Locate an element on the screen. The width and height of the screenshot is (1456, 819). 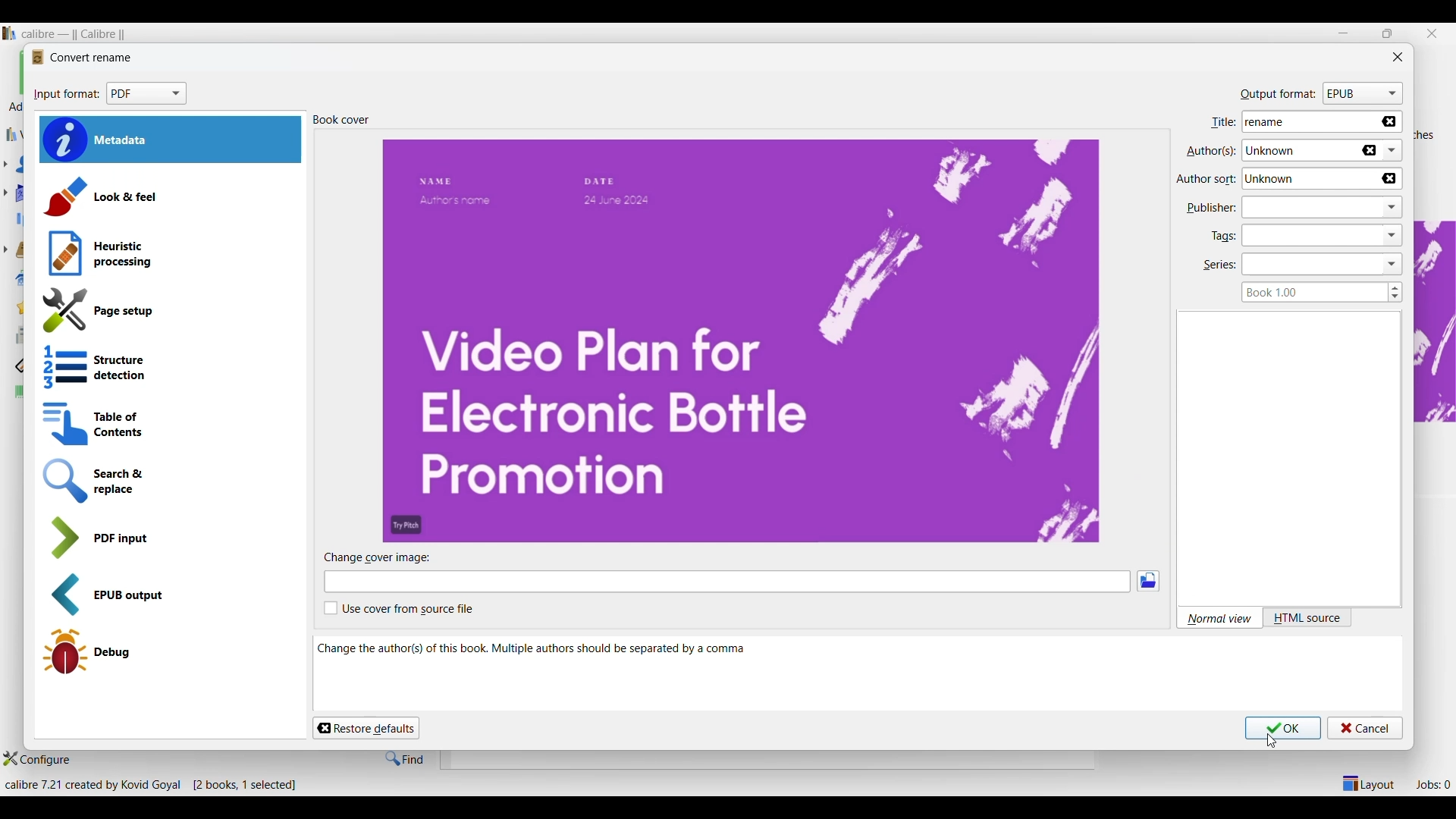
Close interface is located at coordinates (1432, 33).